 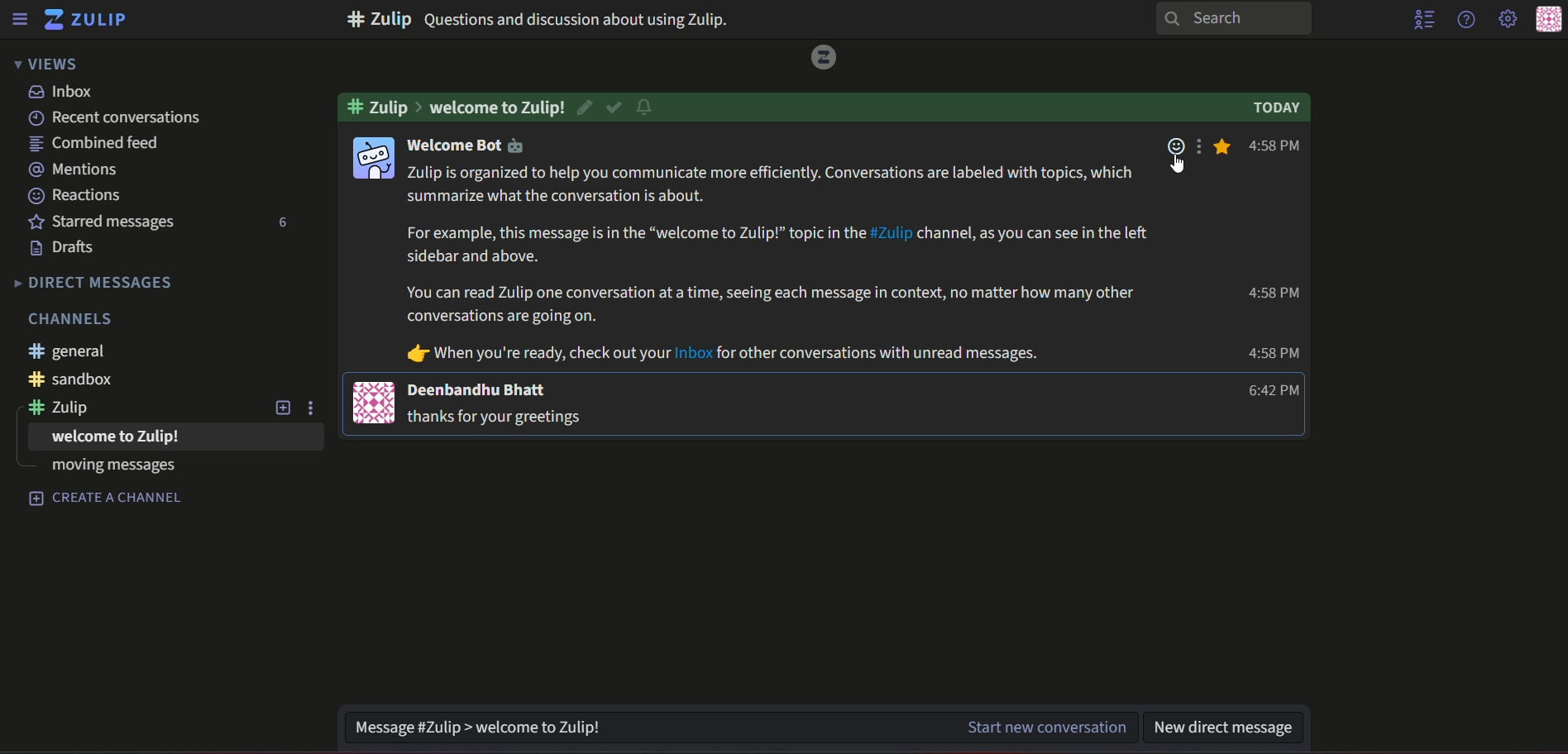 What do you see at coordinates (633, 725) in the screenshot?
I see `Message #Zulip> welcome to Zulip!` at bounding box center [633, 725].